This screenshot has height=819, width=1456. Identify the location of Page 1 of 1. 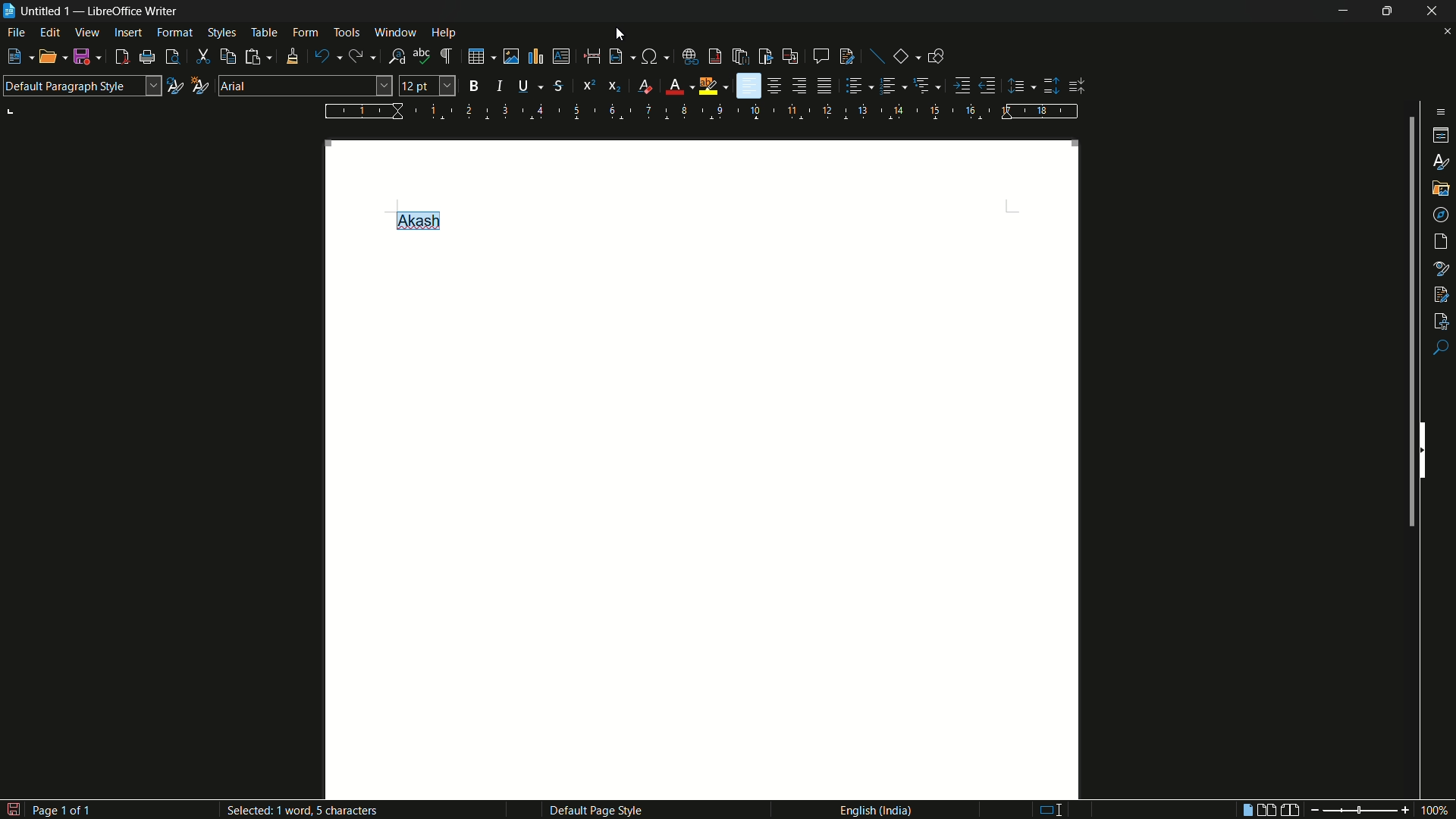
(49, 807).